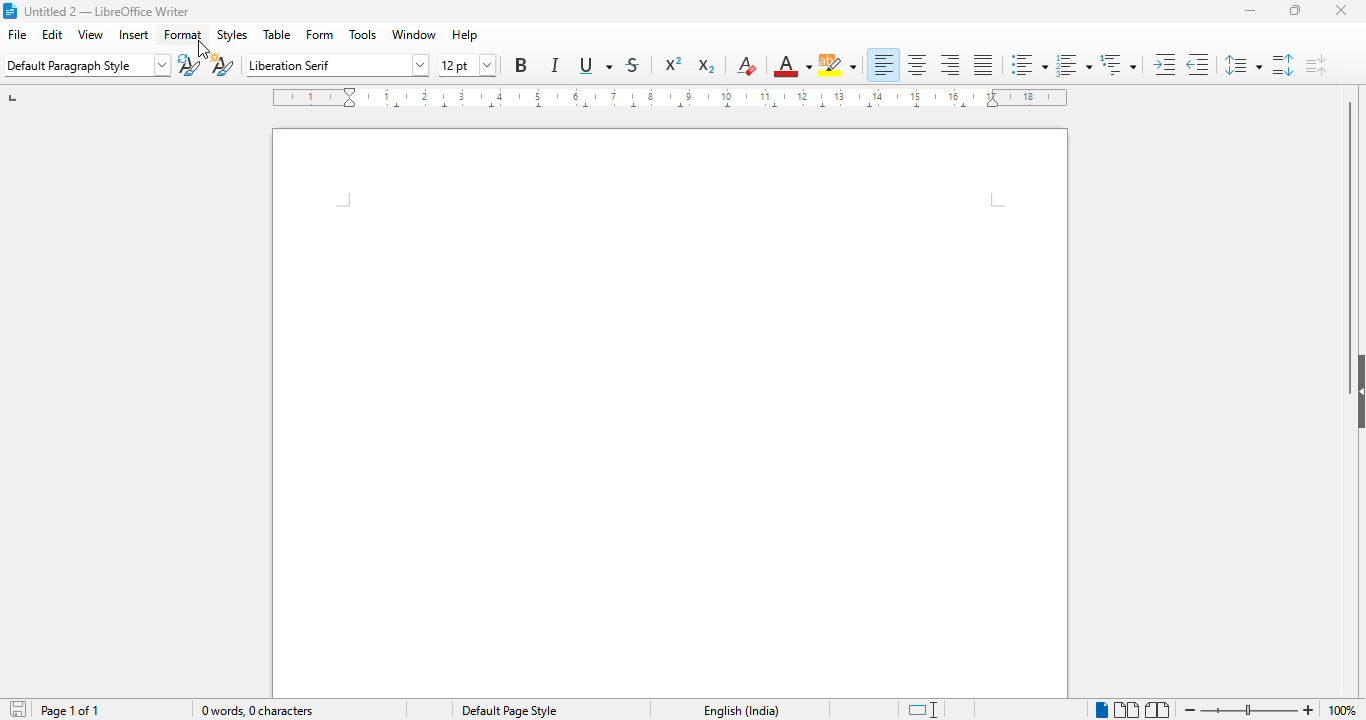 This screenshot has width=1366, height=720. What do you see at coordinates (1316, 64) in the screenshot?
I see `decrease paragraph spacing` at bounding box center [1316, 64].